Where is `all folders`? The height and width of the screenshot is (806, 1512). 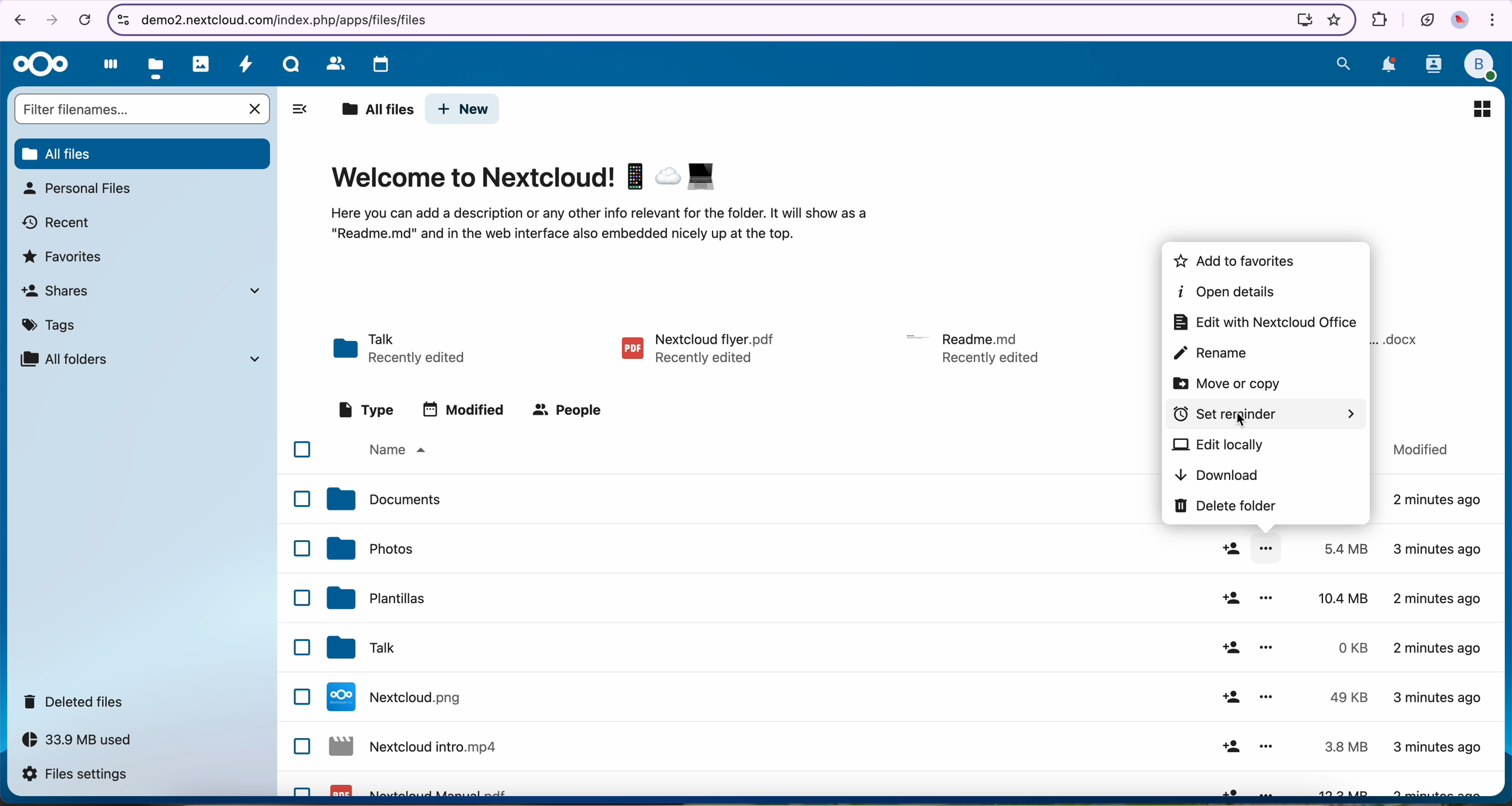
all folders is located at coordinates (146, 358).